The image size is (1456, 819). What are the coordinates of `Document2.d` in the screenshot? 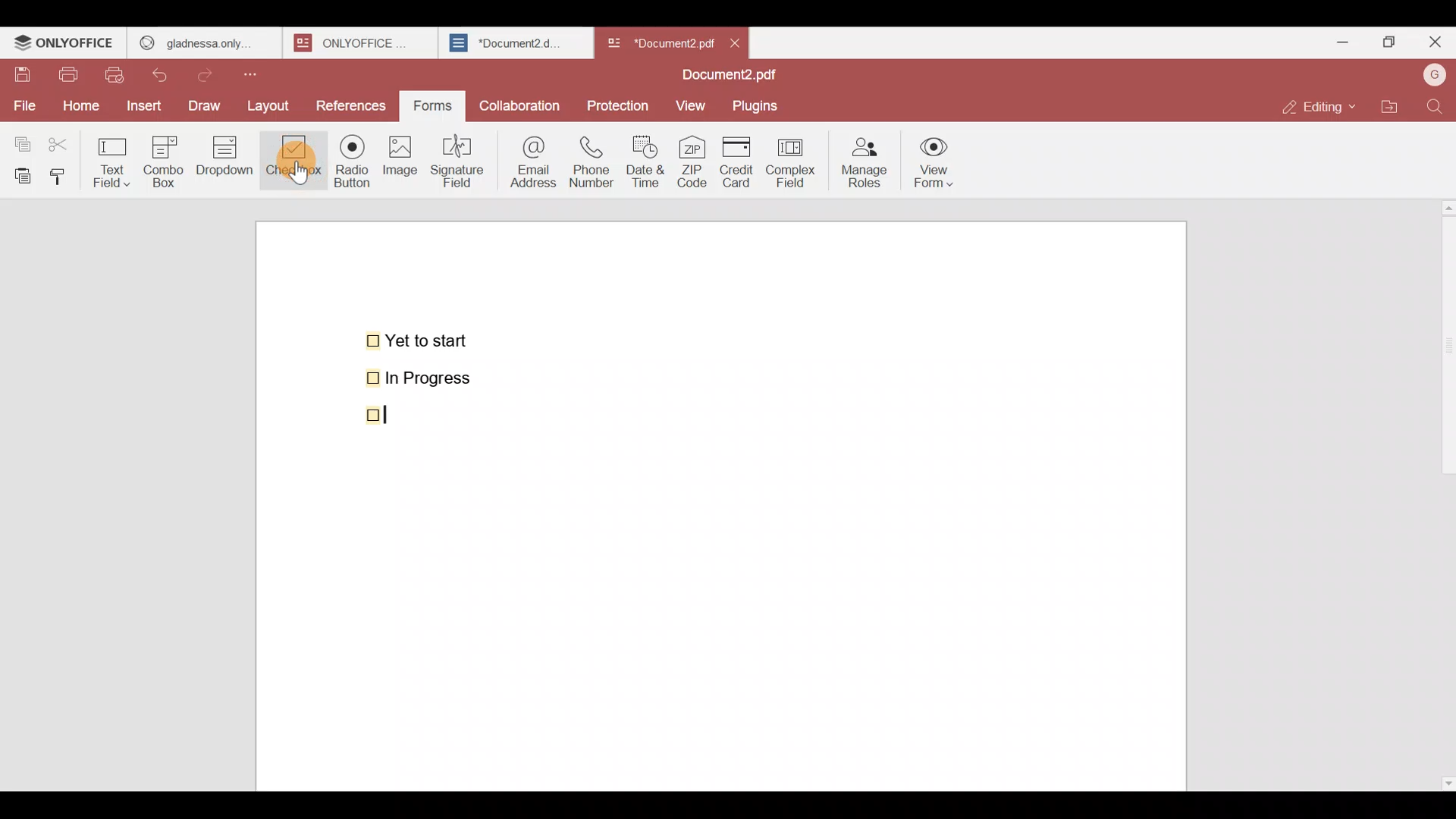 It's located at (515, 47).